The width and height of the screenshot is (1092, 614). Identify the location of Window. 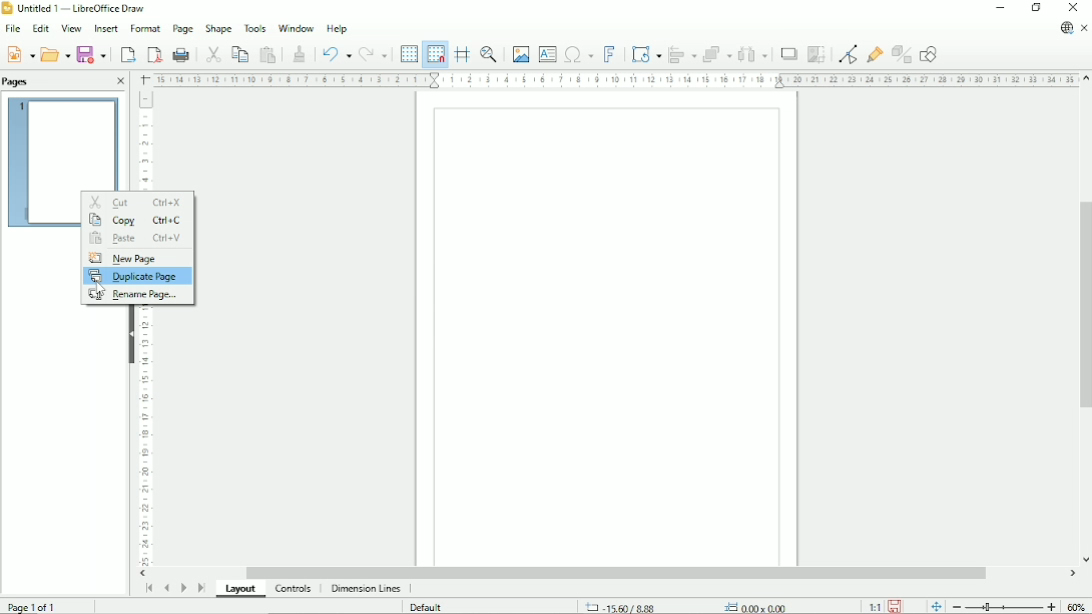
(296, 26).